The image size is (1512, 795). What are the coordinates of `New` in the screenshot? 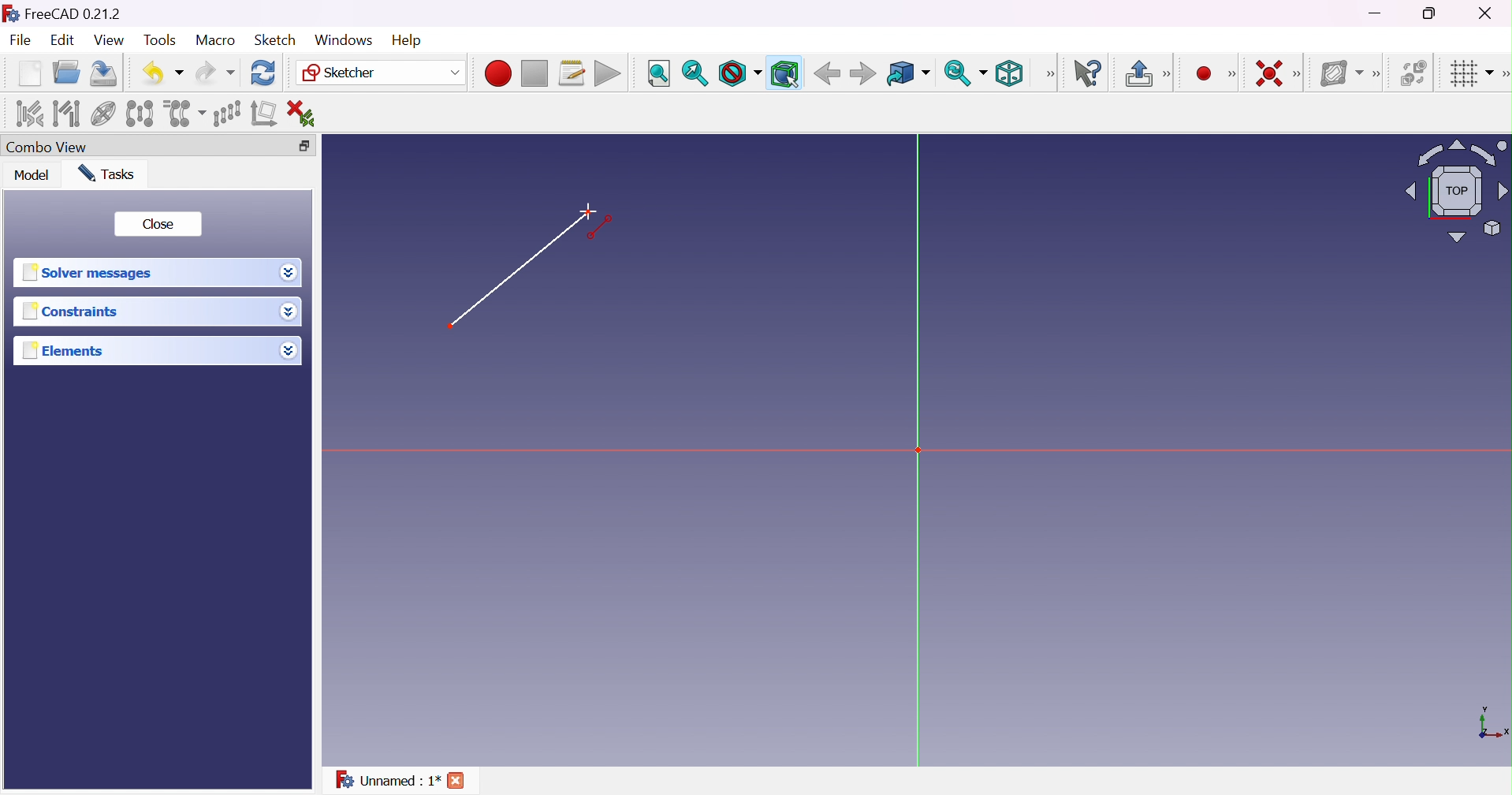 It's located at (29, 76).